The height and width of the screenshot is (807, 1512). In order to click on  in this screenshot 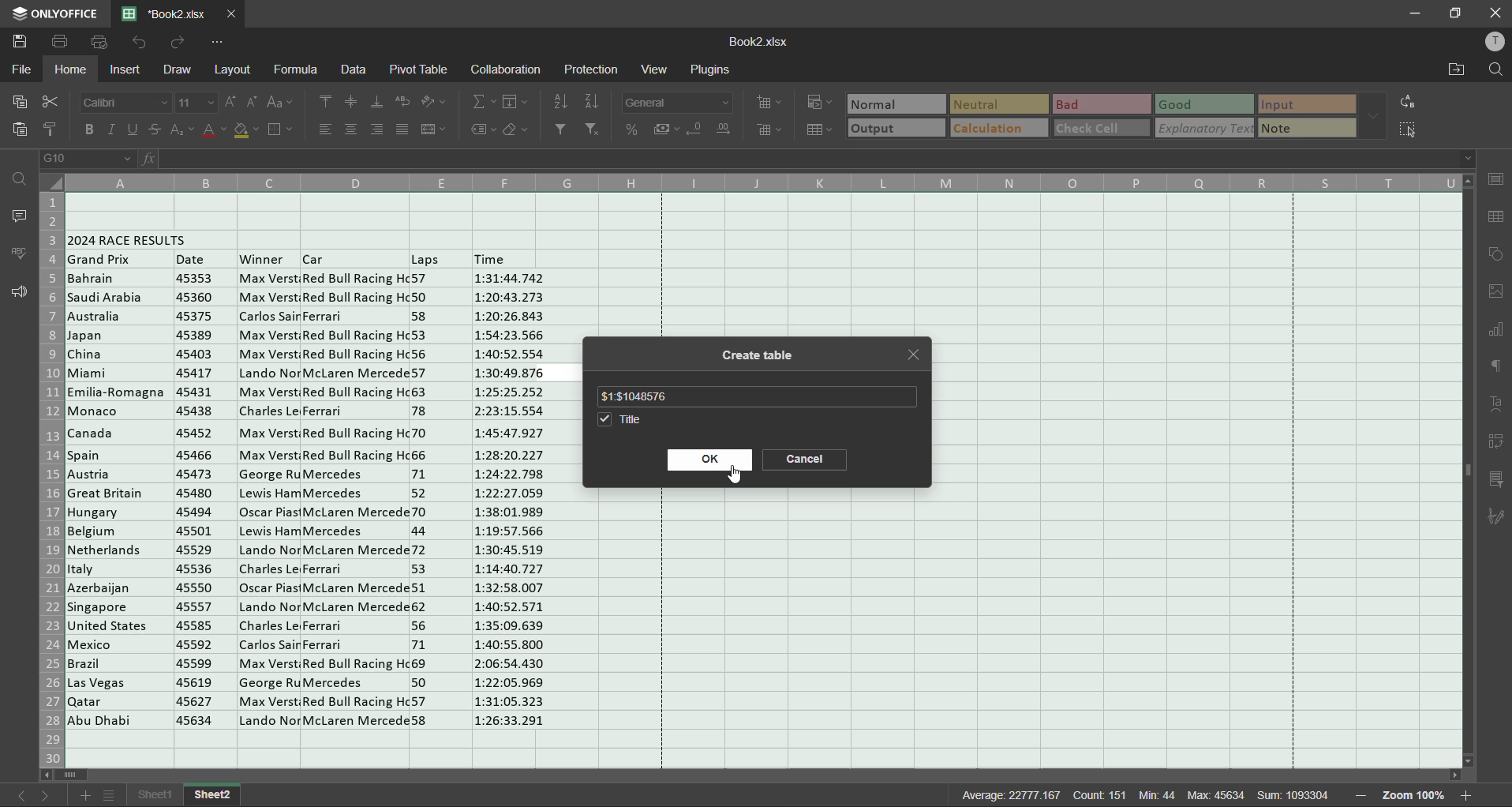, I will do `click(428, 258)`.